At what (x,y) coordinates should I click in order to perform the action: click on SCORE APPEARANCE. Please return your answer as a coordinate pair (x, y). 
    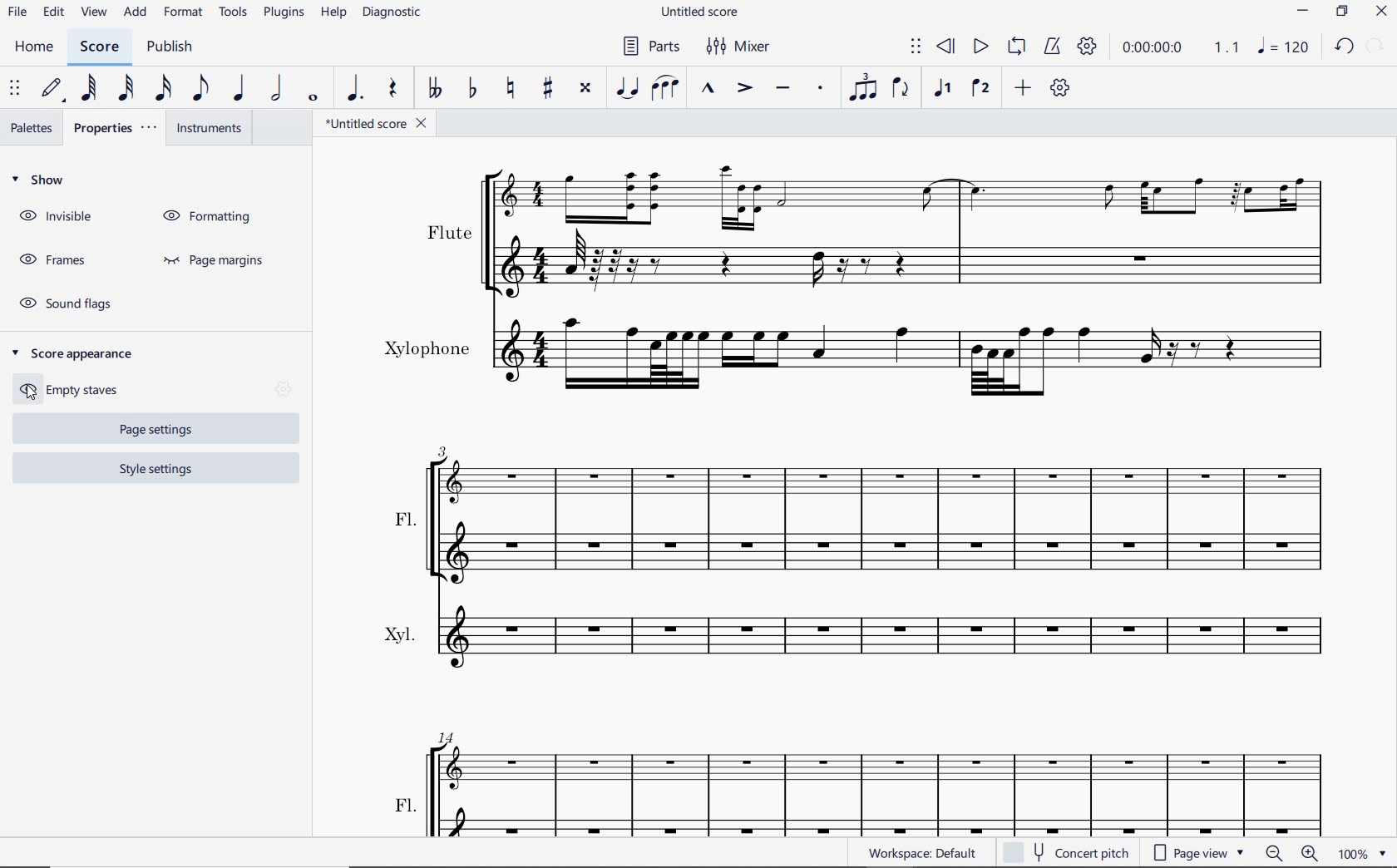
    Looking at the image, I should click on (72, 349).